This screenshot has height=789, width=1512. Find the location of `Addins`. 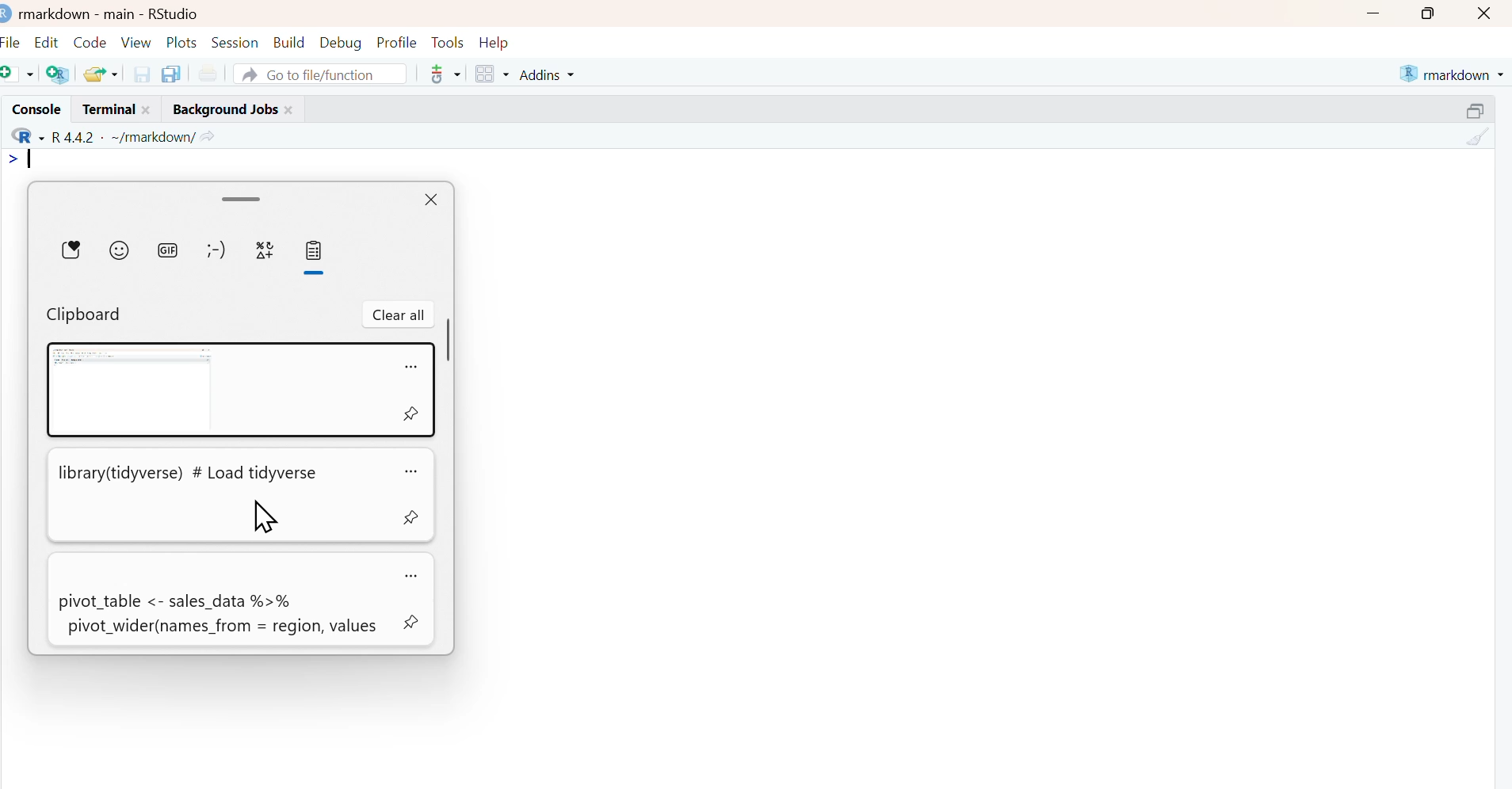

Addins is located at coordinates (550, 74).